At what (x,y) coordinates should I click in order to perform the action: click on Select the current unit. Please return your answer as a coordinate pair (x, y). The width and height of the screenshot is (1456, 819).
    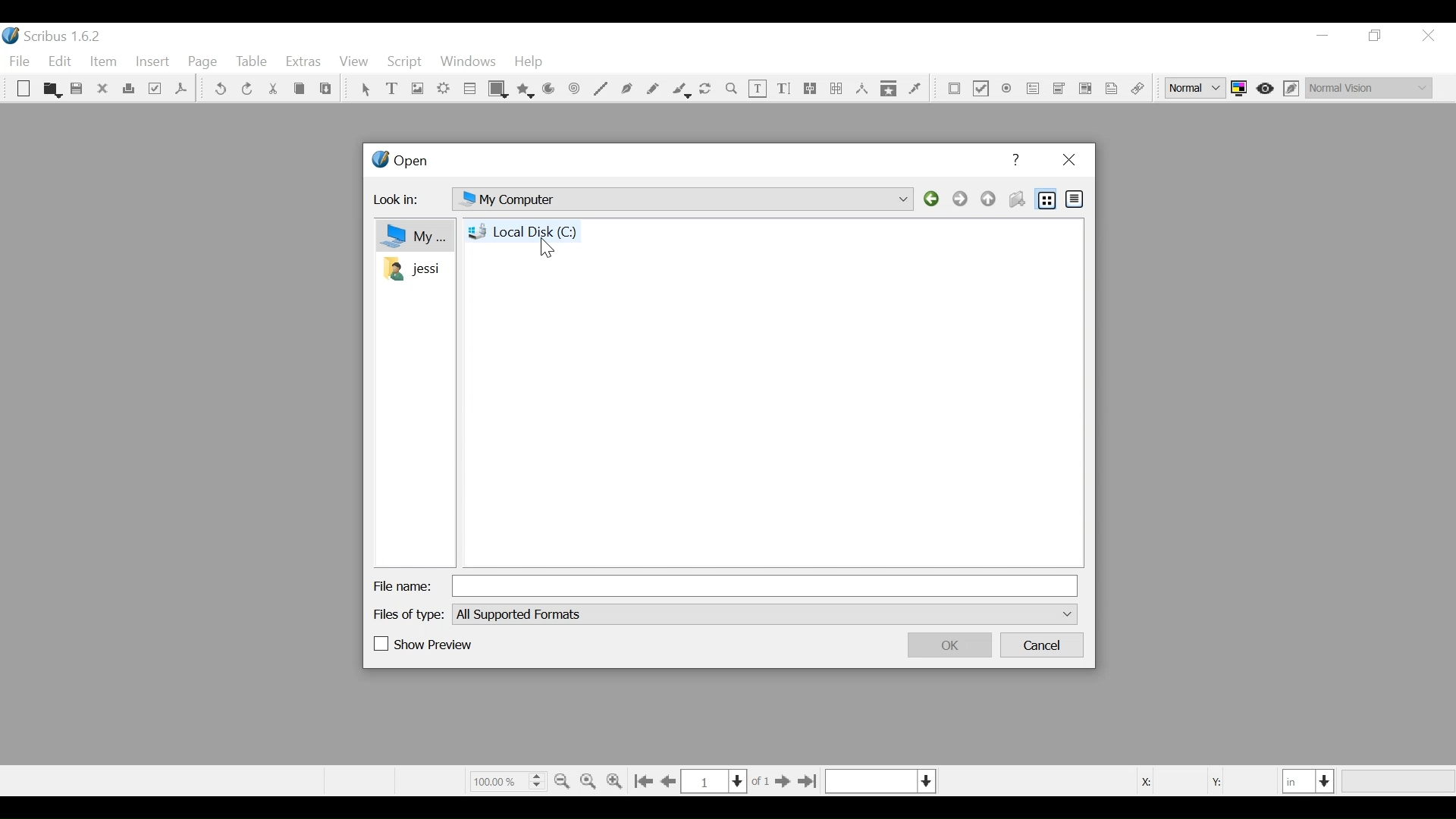
    Looking at the image, I should click on (1309, 780).